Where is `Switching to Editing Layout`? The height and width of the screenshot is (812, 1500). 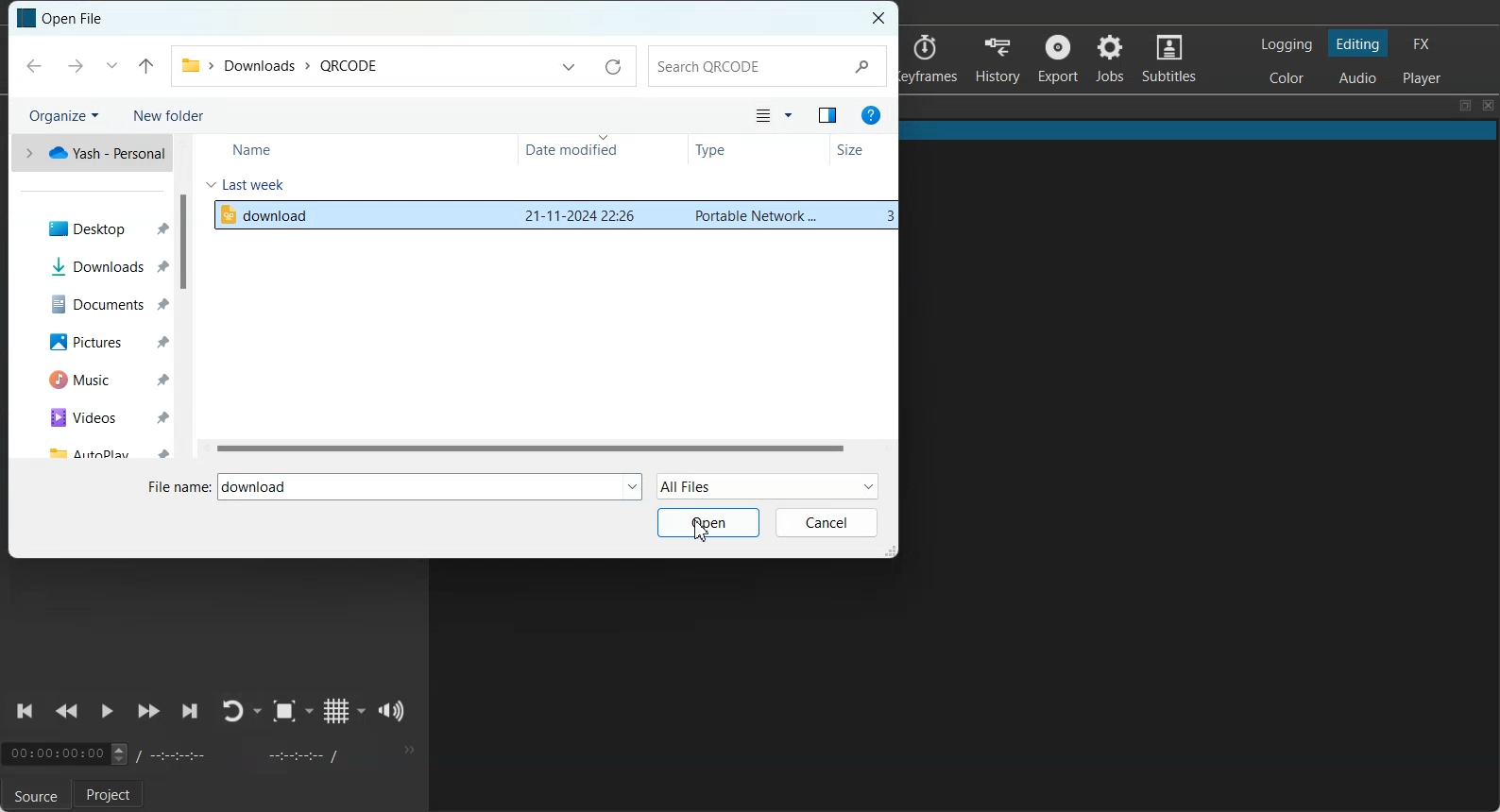 Switching to Editing Layout is located at coordinates (1356, 43).